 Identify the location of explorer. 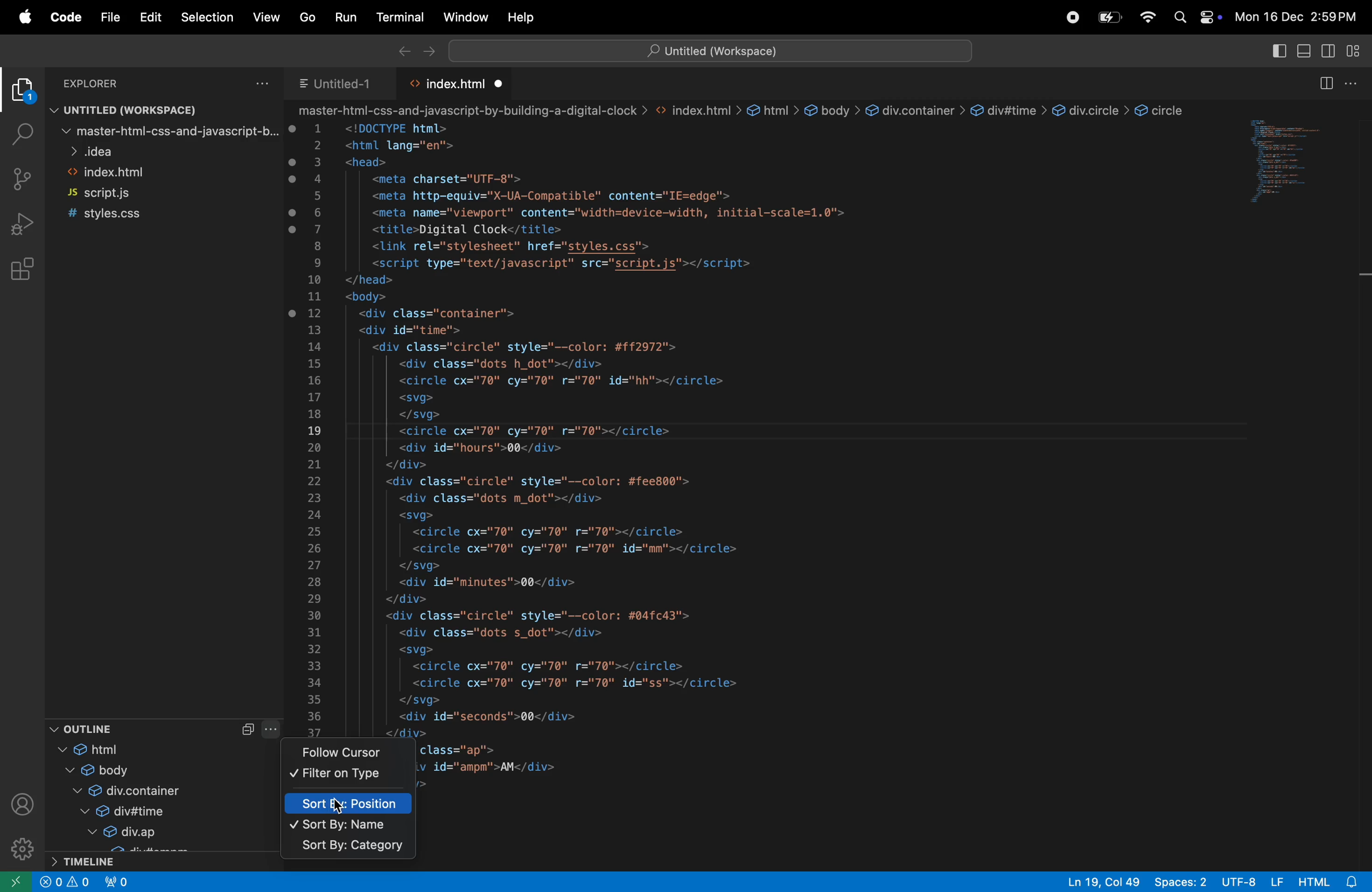
(101, 82).